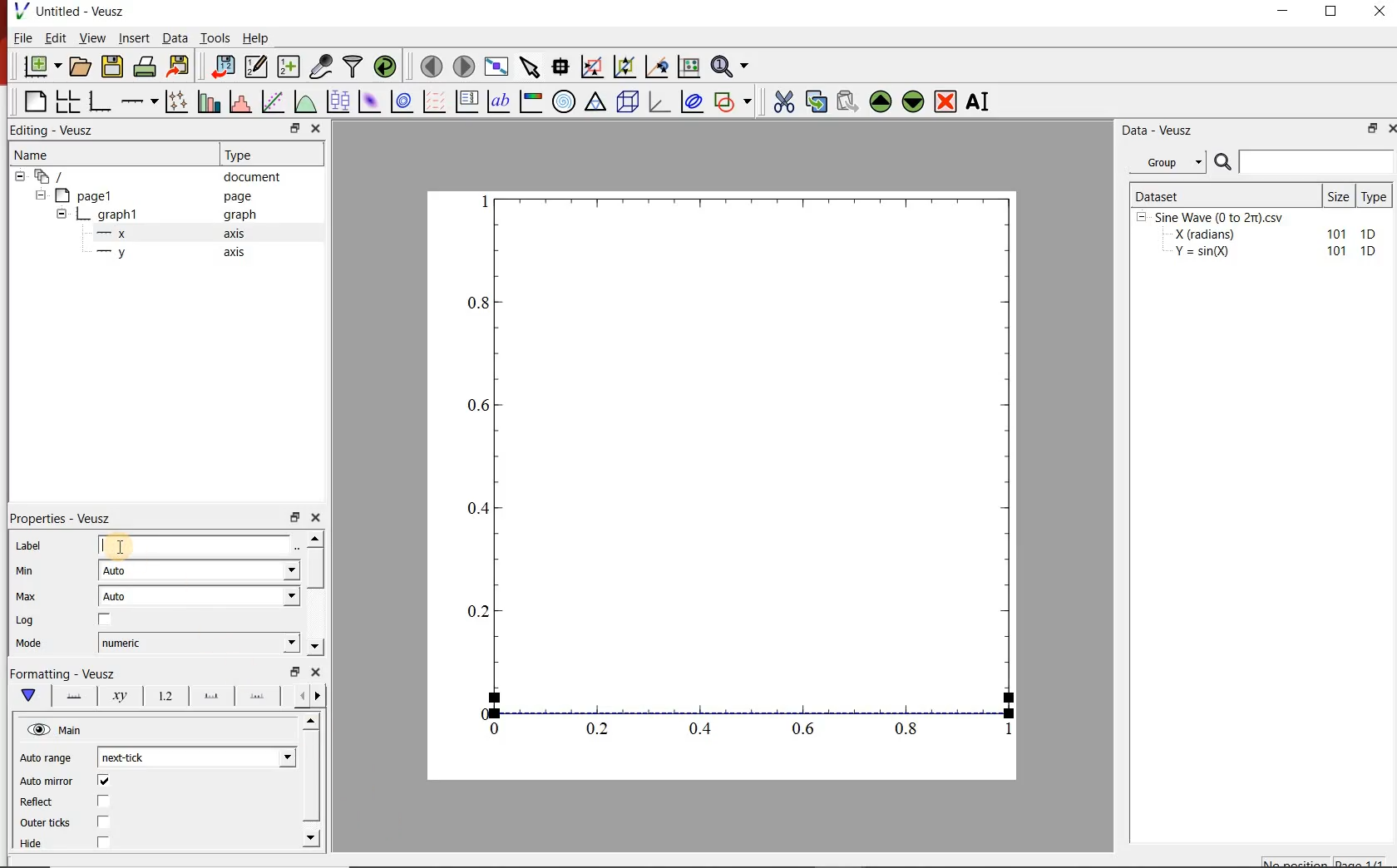  I want to click on arrange graph, so click(68, 101).